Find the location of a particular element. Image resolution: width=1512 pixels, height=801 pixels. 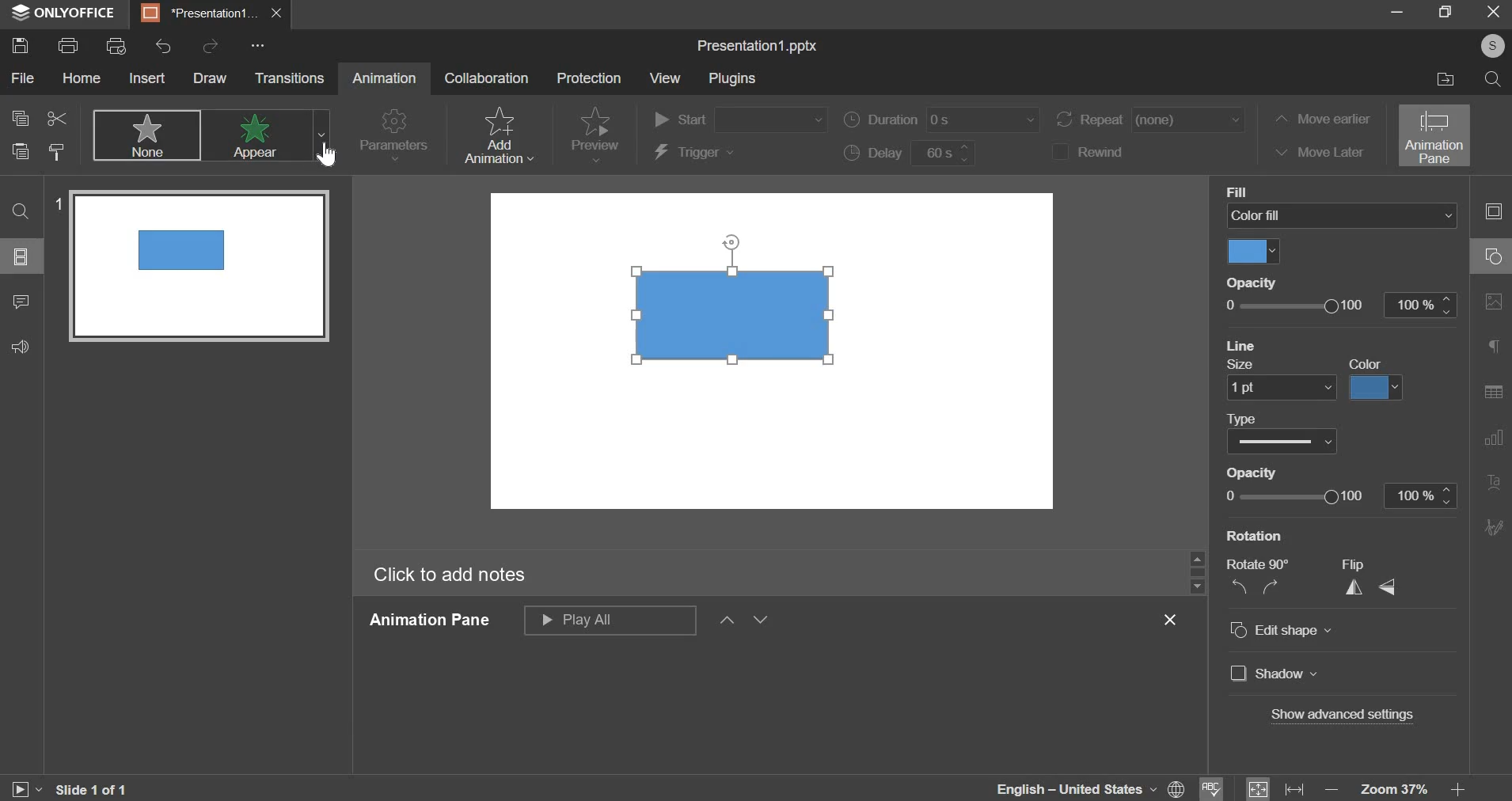

repeat is located at coordinates (1152, 120).